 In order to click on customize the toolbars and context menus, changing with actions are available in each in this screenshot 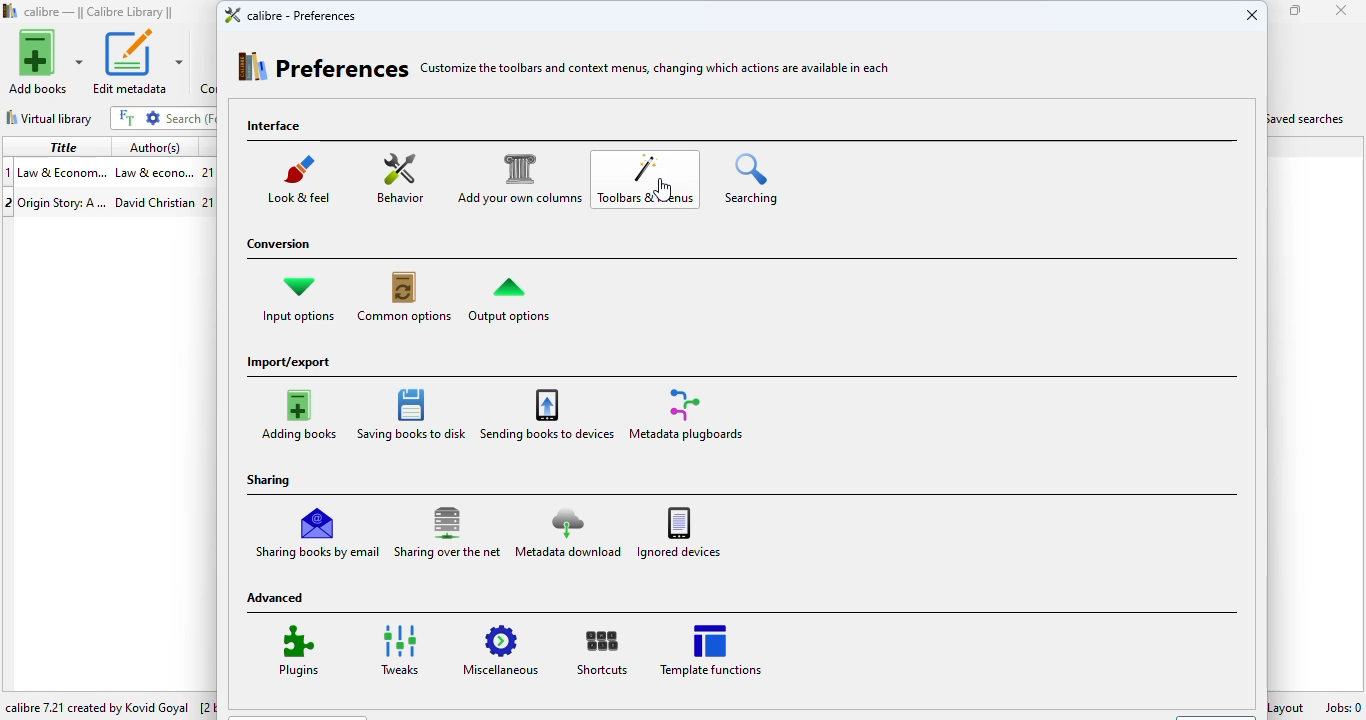, I will do `click(656, 68)`.